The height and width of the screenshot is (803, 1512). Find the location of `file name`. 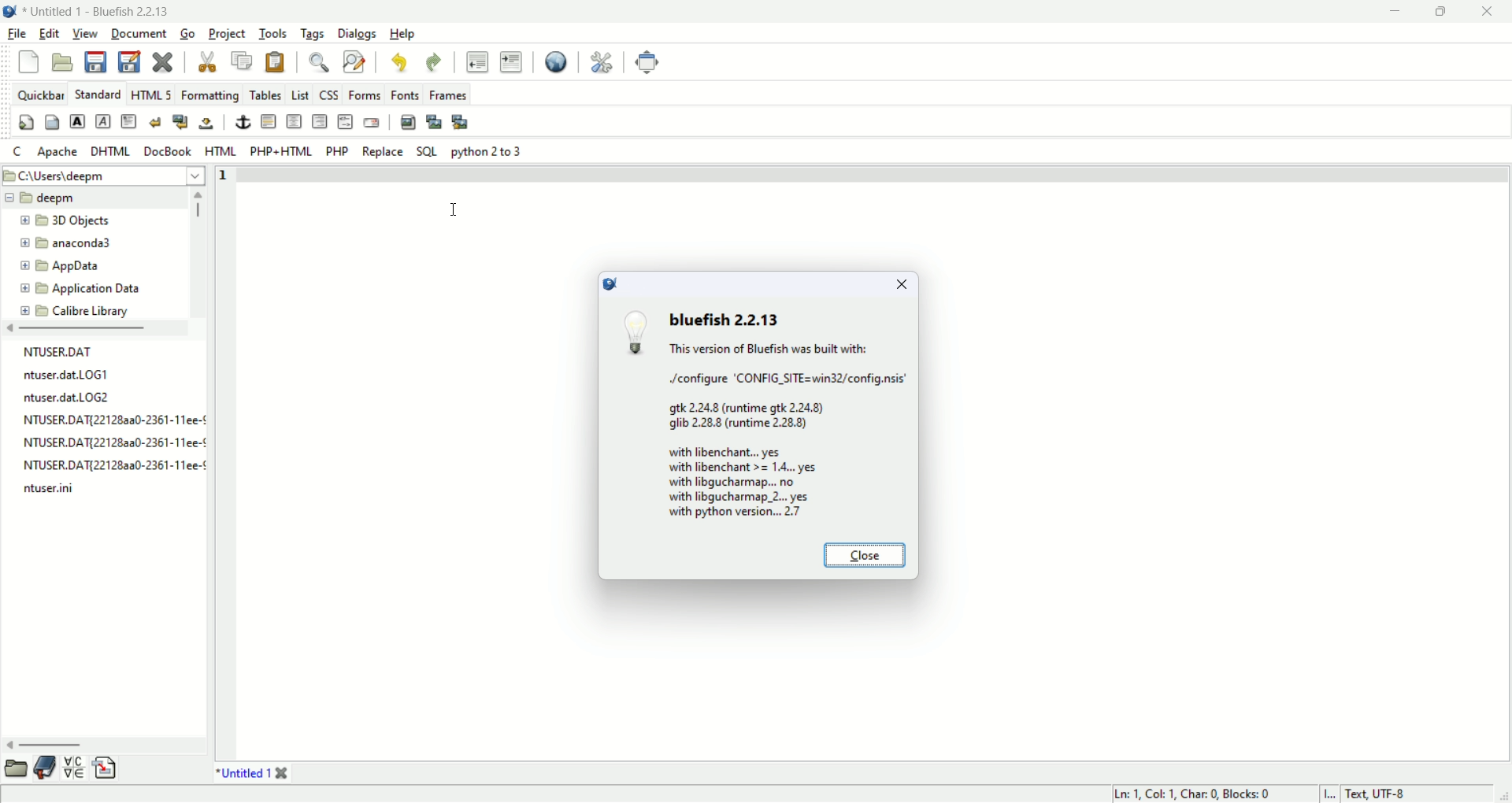

file name is located at coordinates (69, 375).